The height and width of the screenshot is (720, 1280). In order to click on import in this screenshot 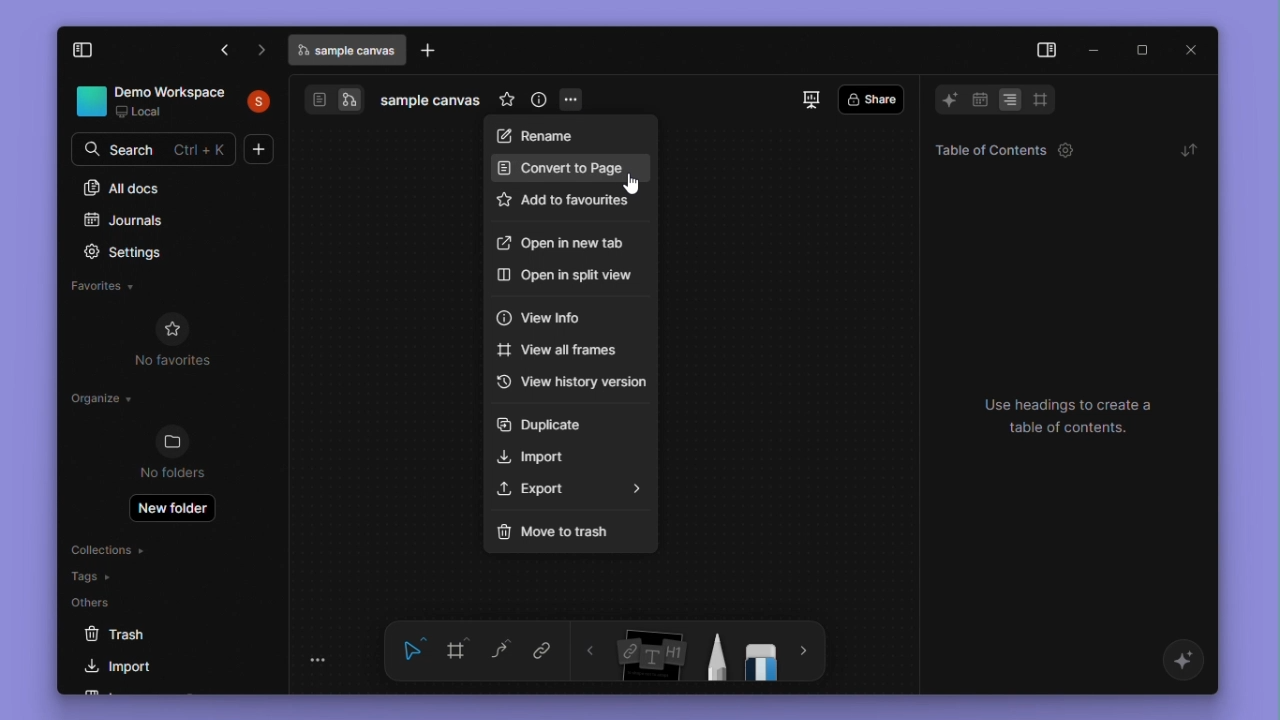, I will do `click(127, 669)`.